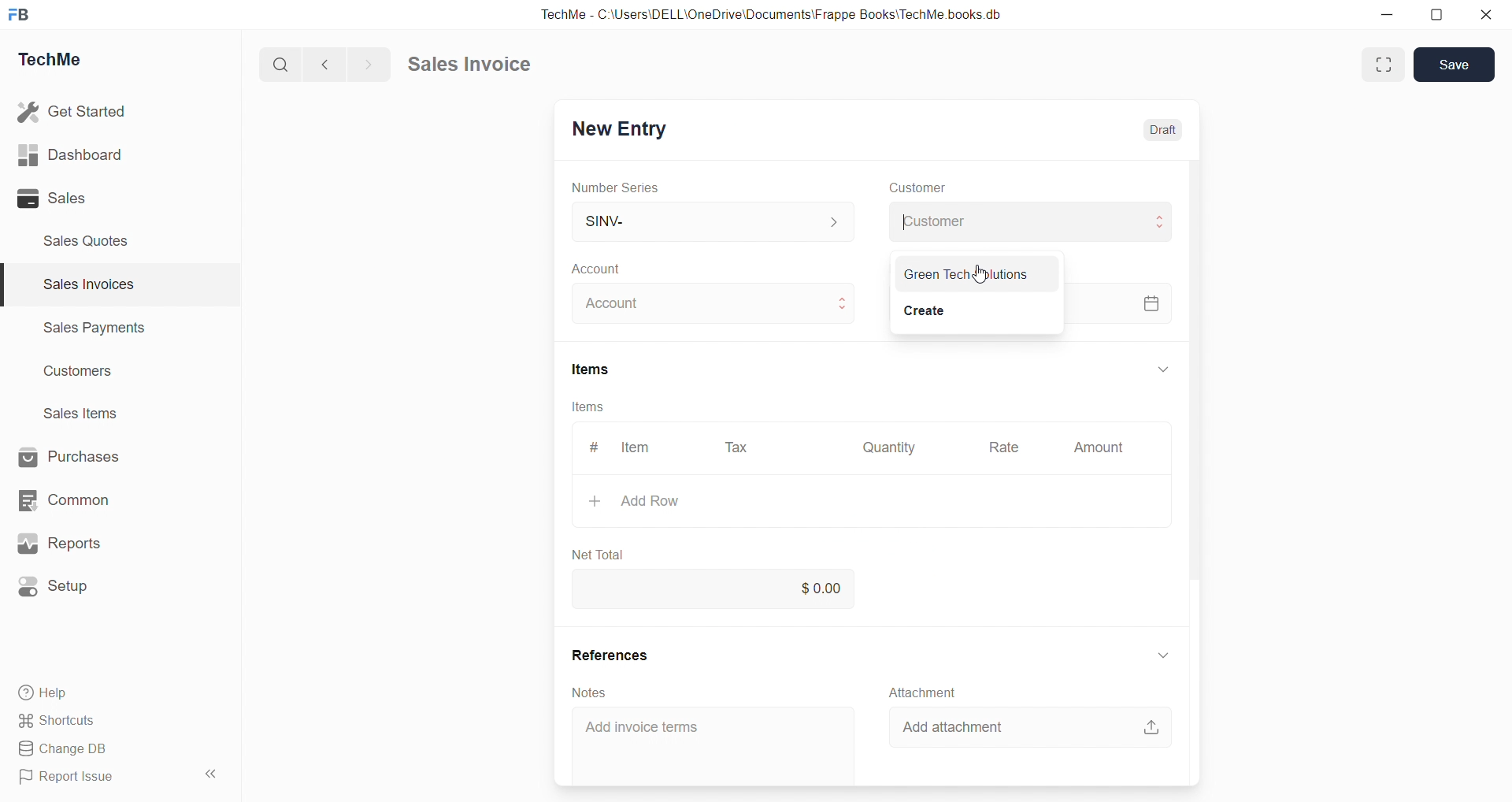 The width and height of the screenshot is (1512, 802). What do you see at coordinates (80, 373) in the screenshot?
I see `Customers` at bounding box center [80, 373].